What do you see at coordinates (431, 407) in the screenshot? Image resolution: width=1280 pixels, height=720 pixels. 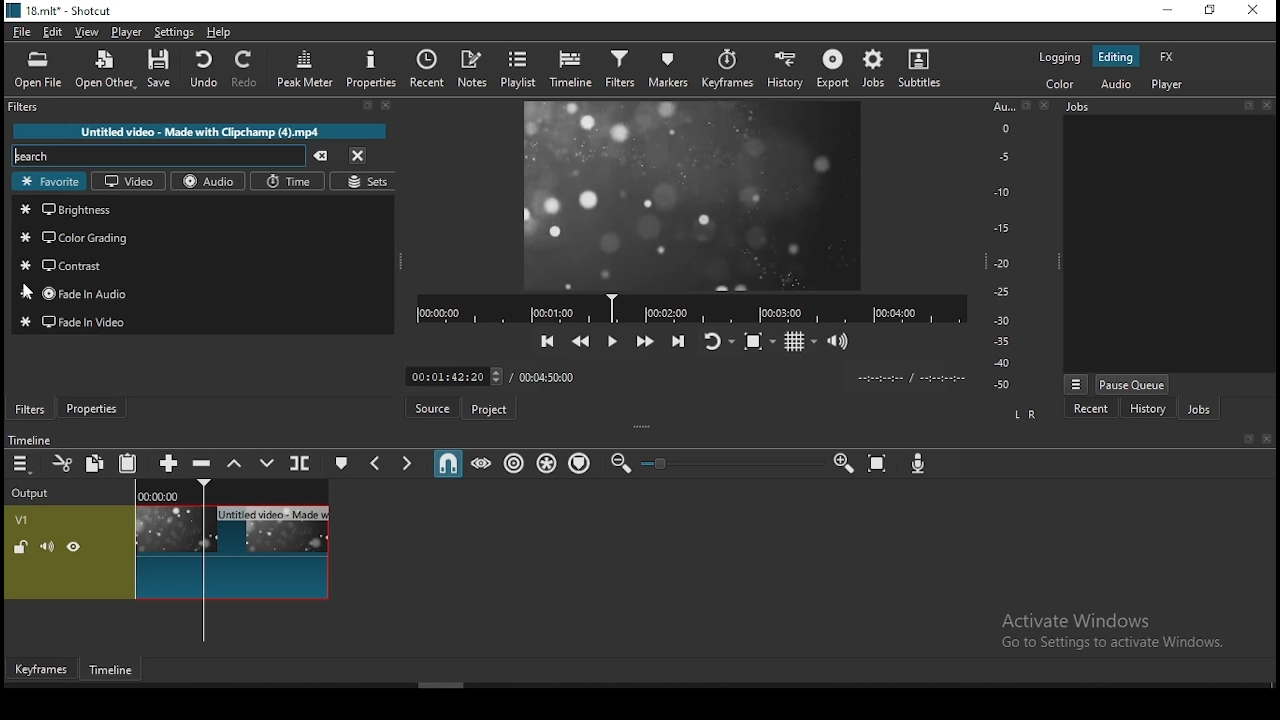 I see `source` at bounding box center [431, 407].